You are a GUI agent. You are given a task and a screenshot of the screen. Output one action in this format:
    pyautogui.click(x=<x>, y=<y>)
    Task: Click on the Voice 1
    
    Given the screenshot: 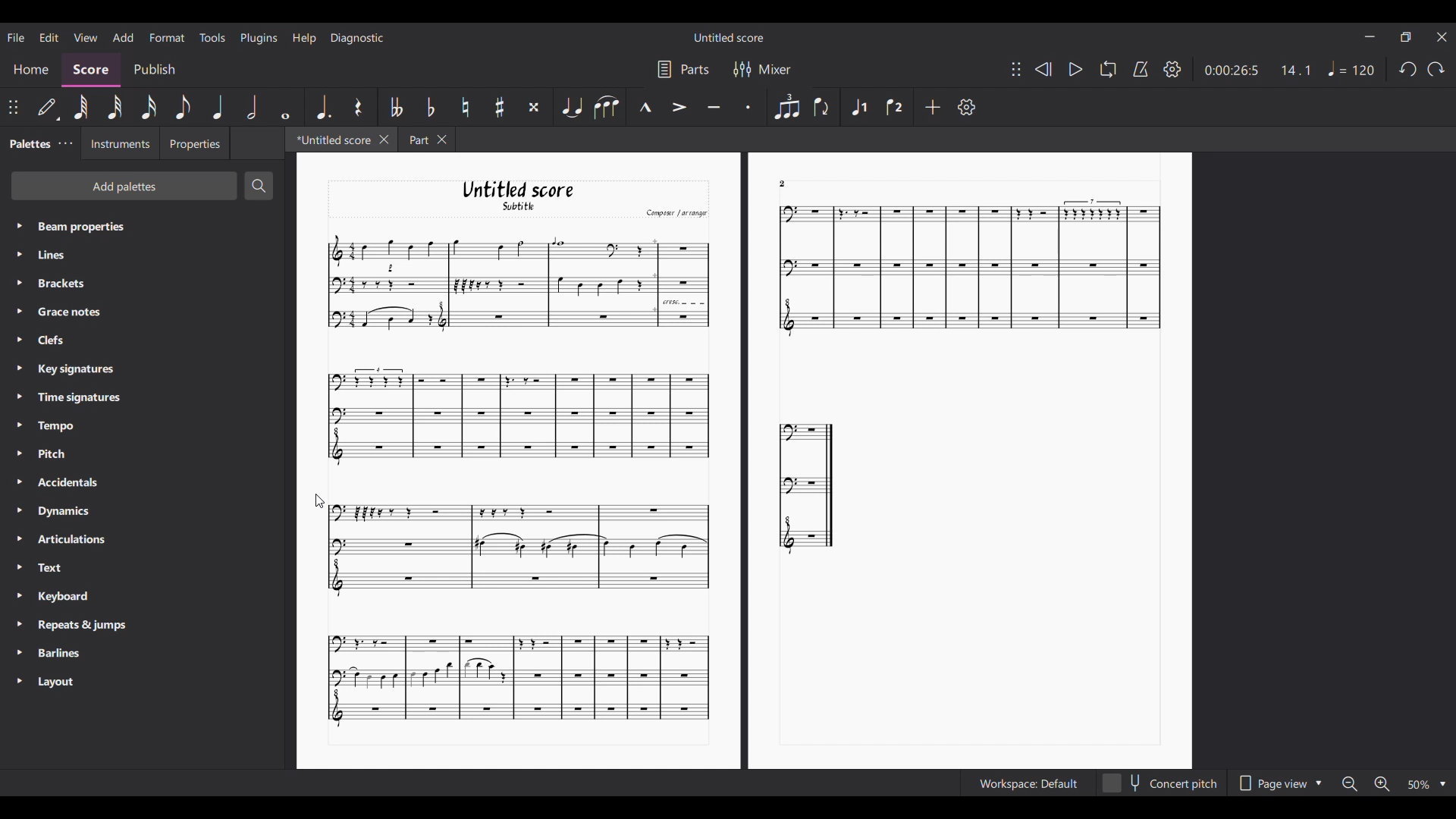 What is the action you would take?
    pyautogui.click(x=858, y=107)
    